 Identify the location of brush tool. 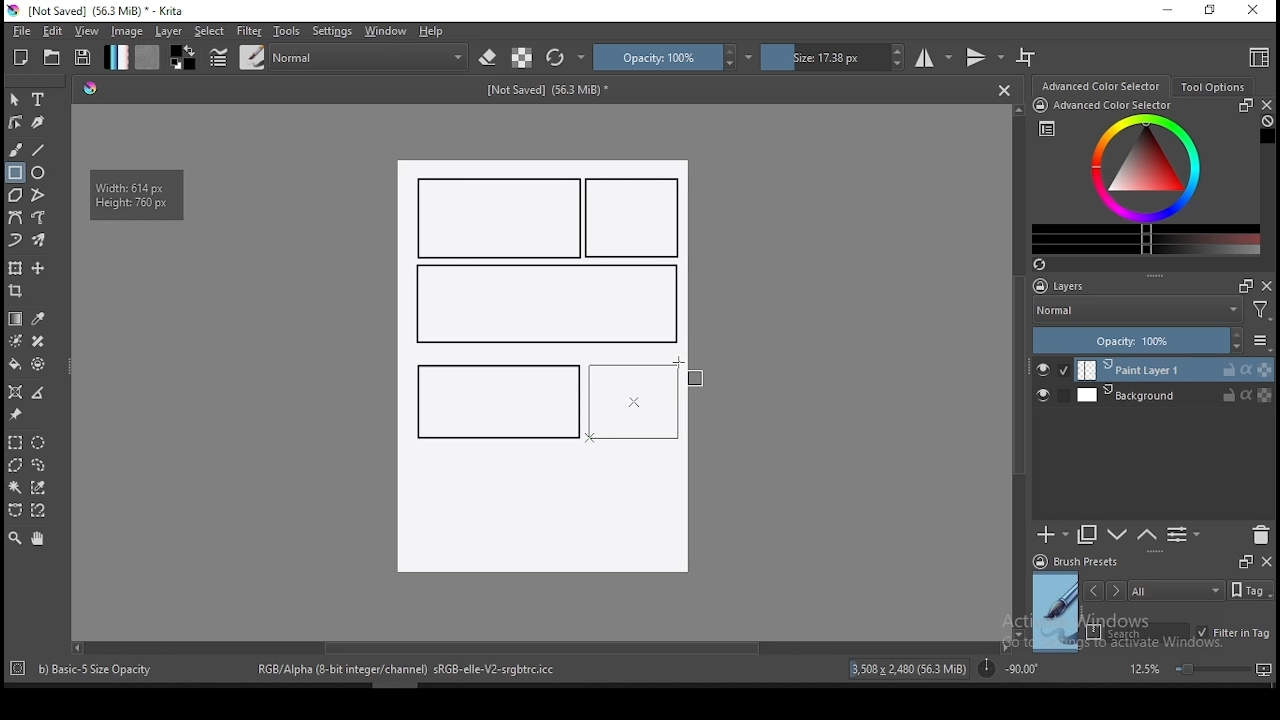
(17, 149).